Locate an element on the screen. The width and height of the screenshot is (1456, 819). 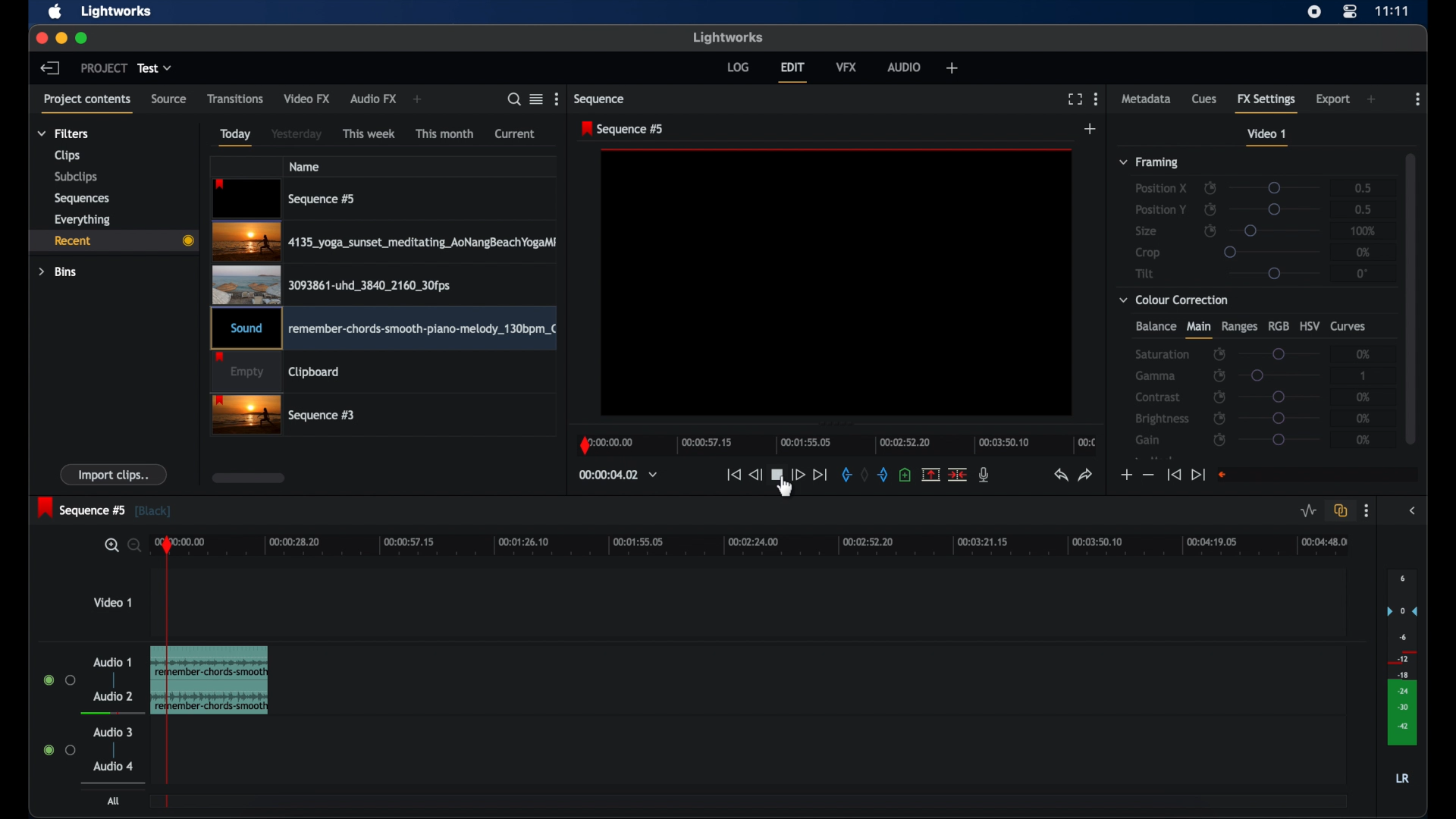
more options is located at coordinates (1367, 511).